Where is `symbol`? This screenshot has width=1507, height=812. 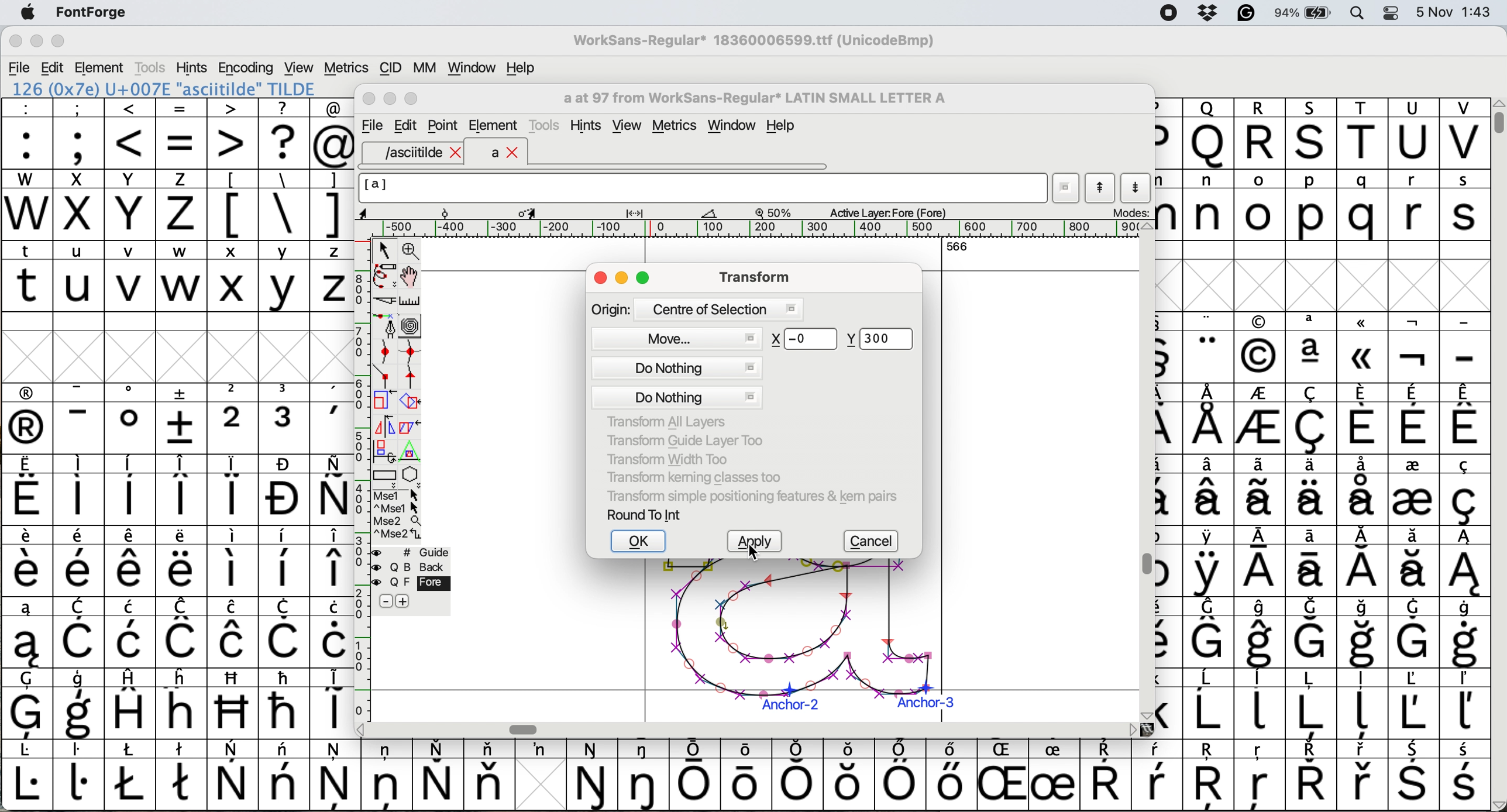 symbol is located at coordinates (232, 632).